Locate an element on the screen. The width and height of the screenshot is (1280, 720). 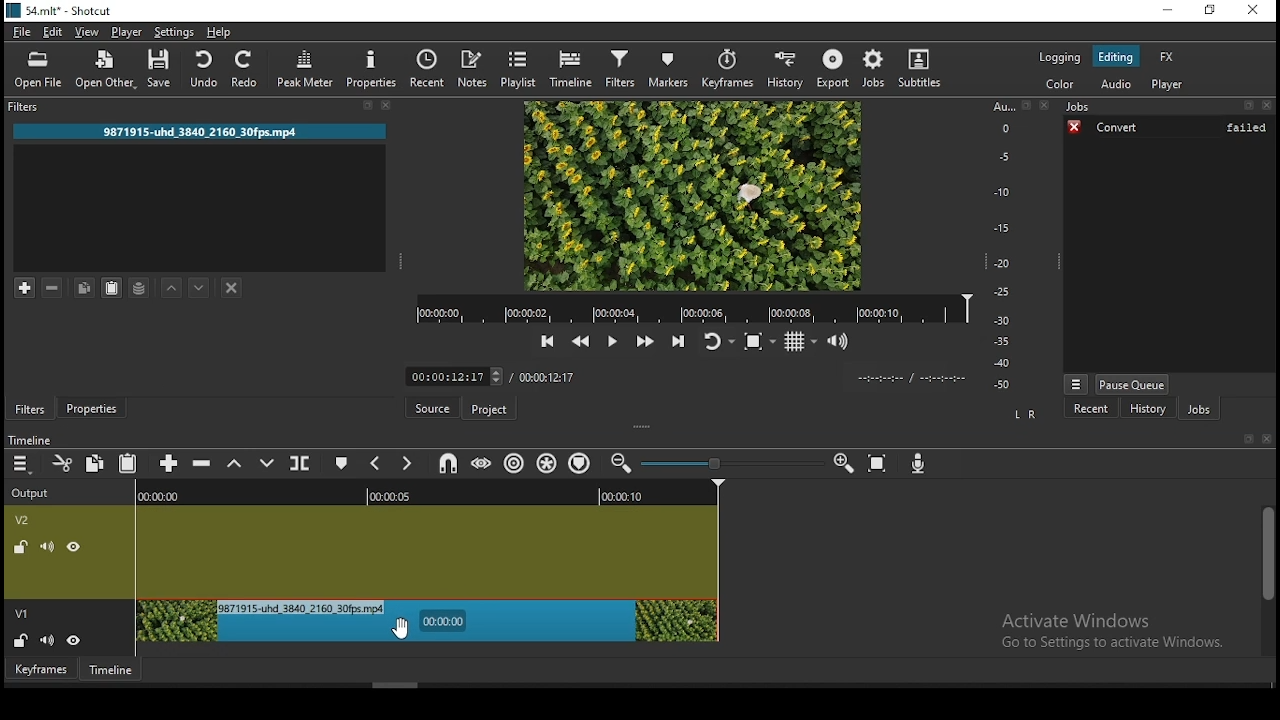
next marker is located at coordinates (406, 464).